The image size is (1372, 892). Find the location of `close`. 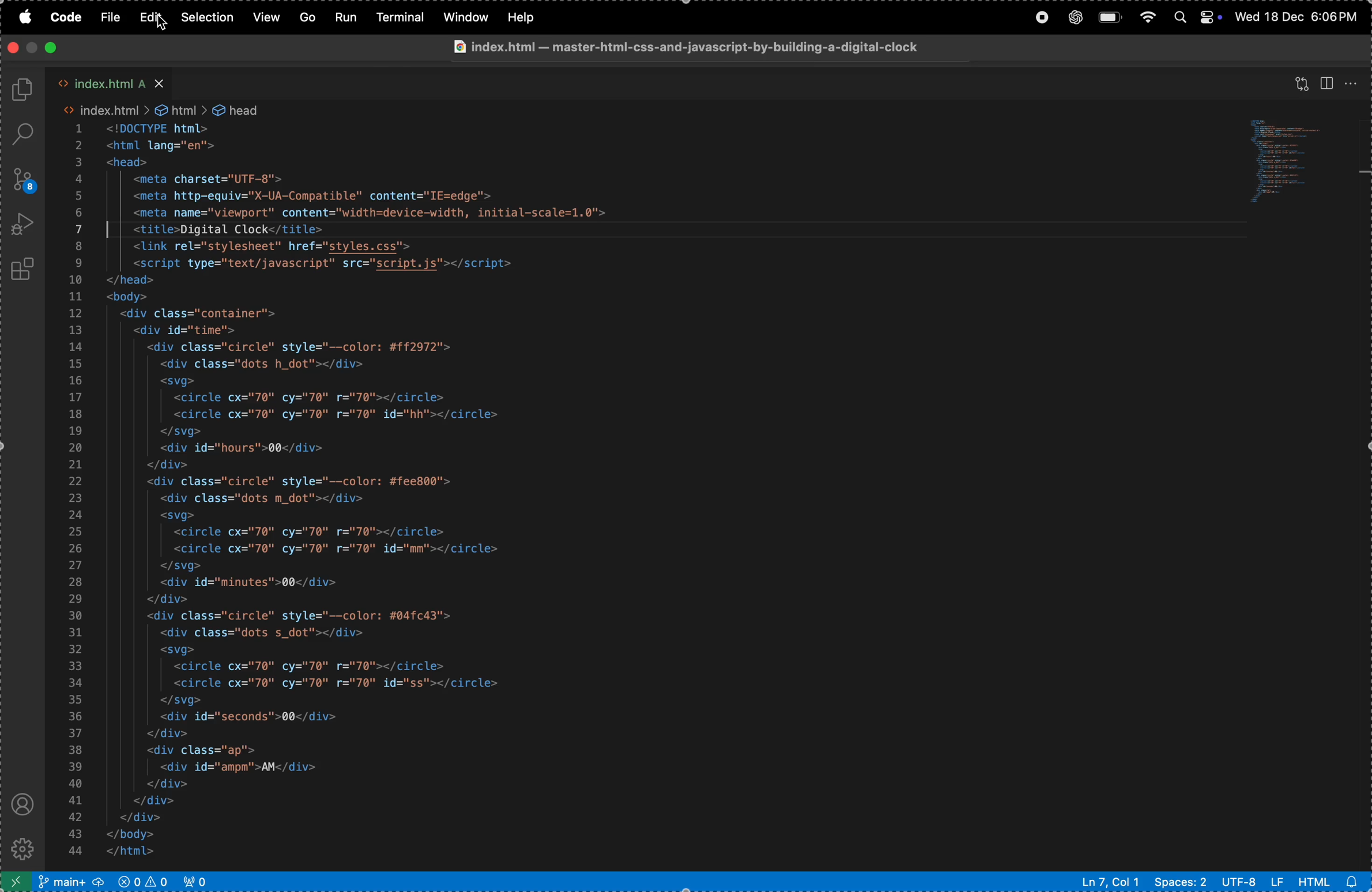

close is located at coordinates (158, 81).